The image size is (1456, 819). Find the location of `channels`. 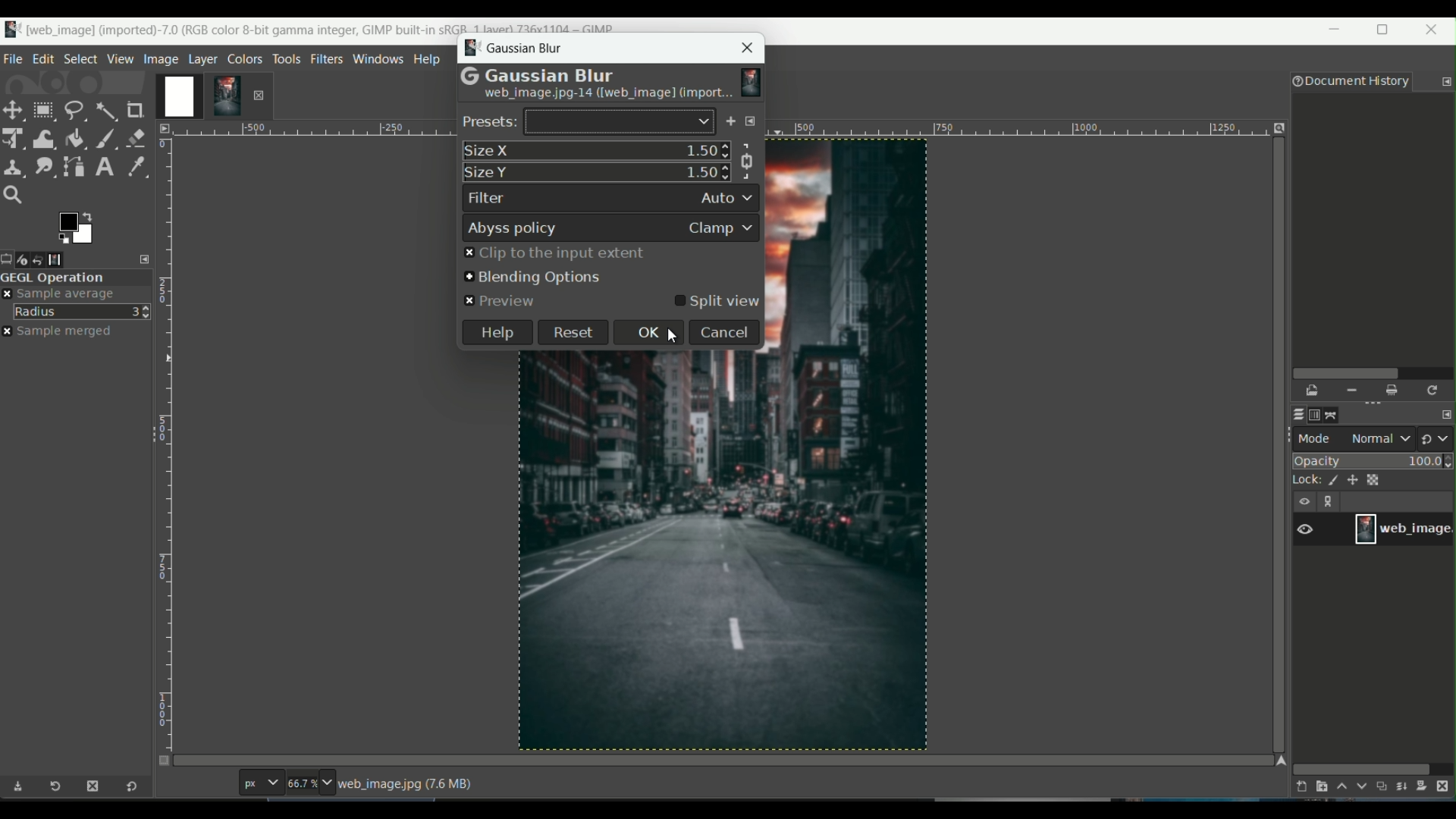

channels is located at coordinates (1316, 415).